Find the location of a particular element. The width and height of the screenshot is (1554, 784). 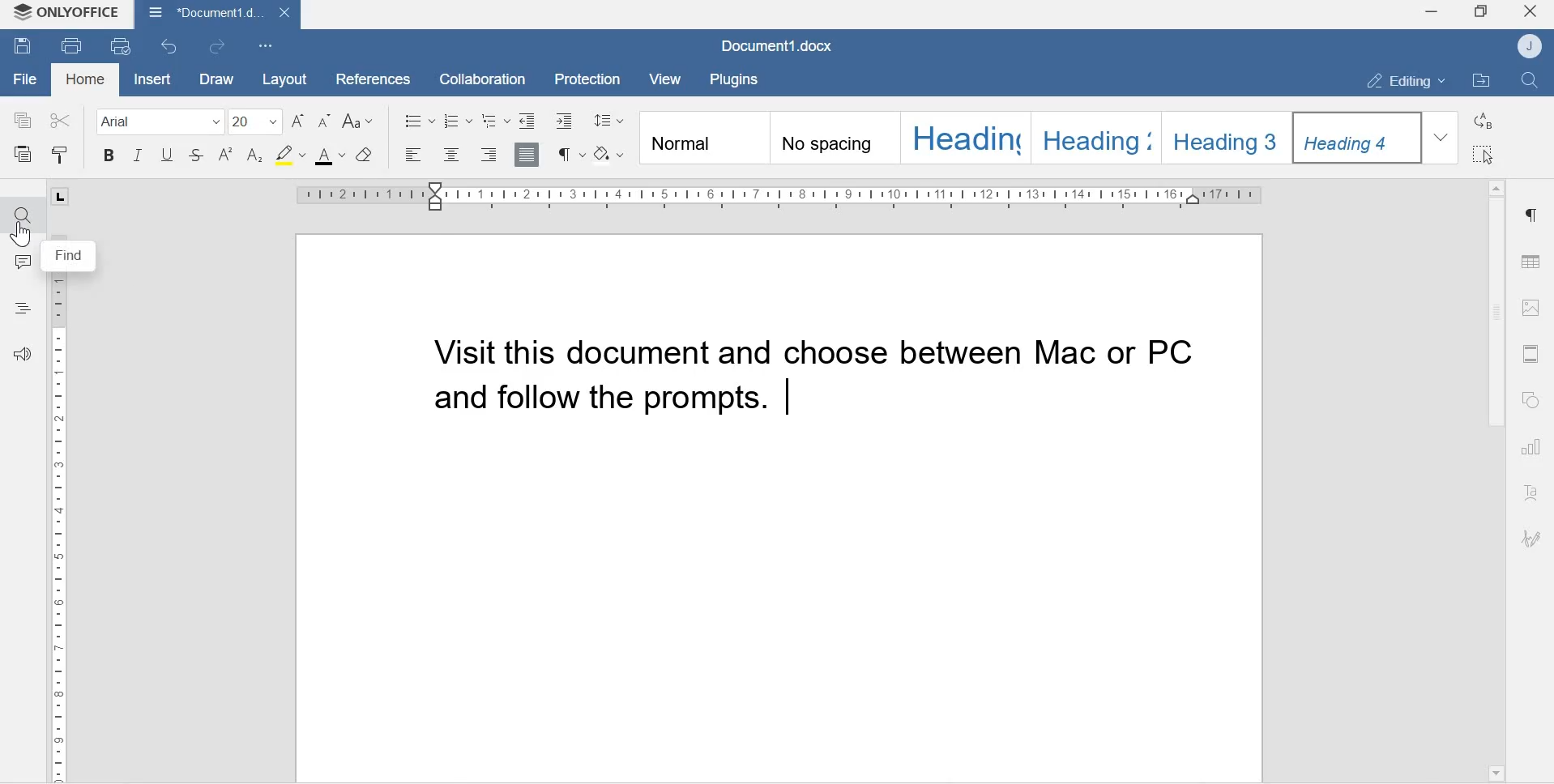

Maximize is located at coordinates (1481, 13).